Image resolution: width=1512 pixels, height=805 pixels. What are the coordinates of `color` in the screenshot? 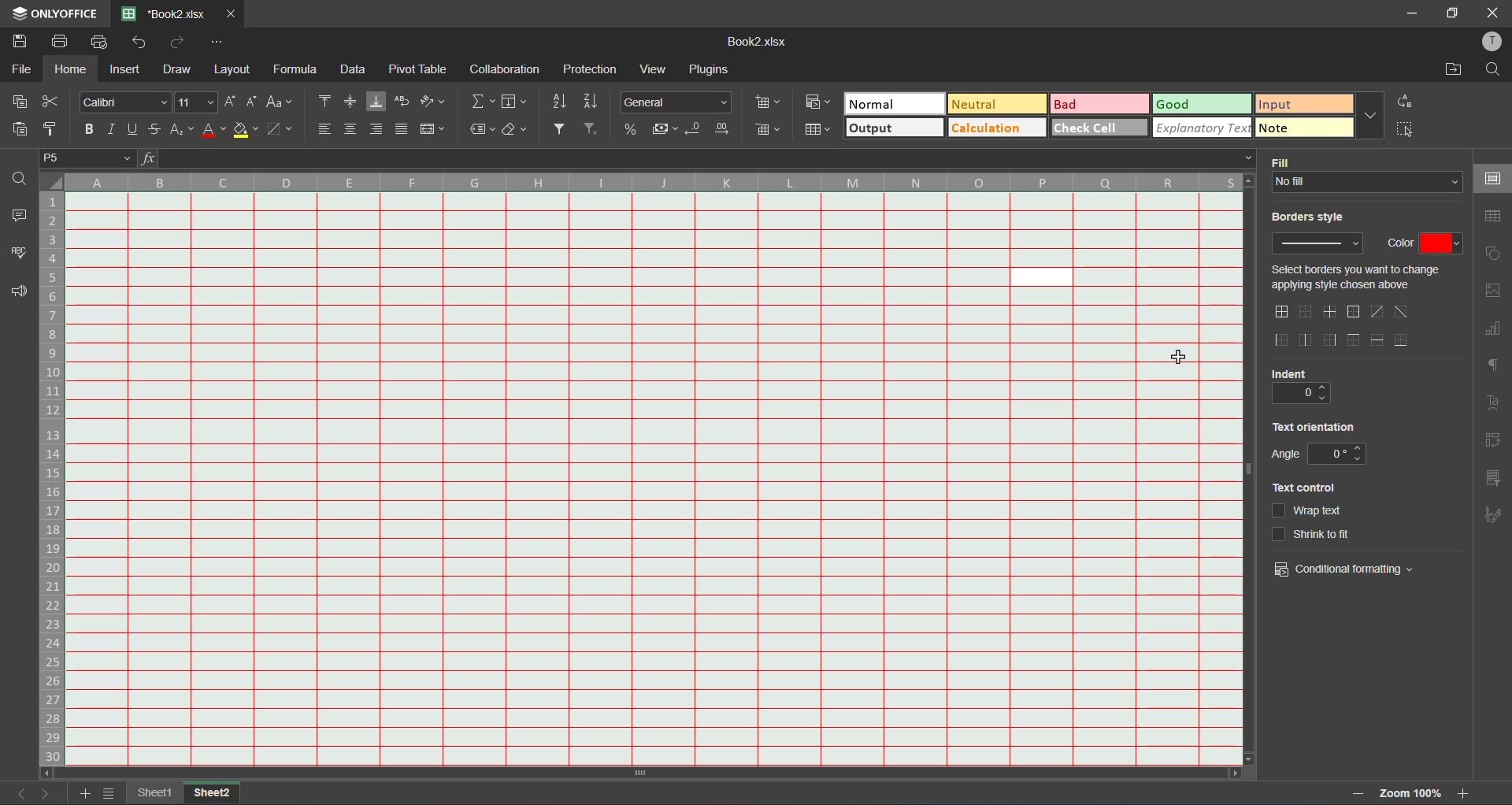 It's located at (1425, 244).